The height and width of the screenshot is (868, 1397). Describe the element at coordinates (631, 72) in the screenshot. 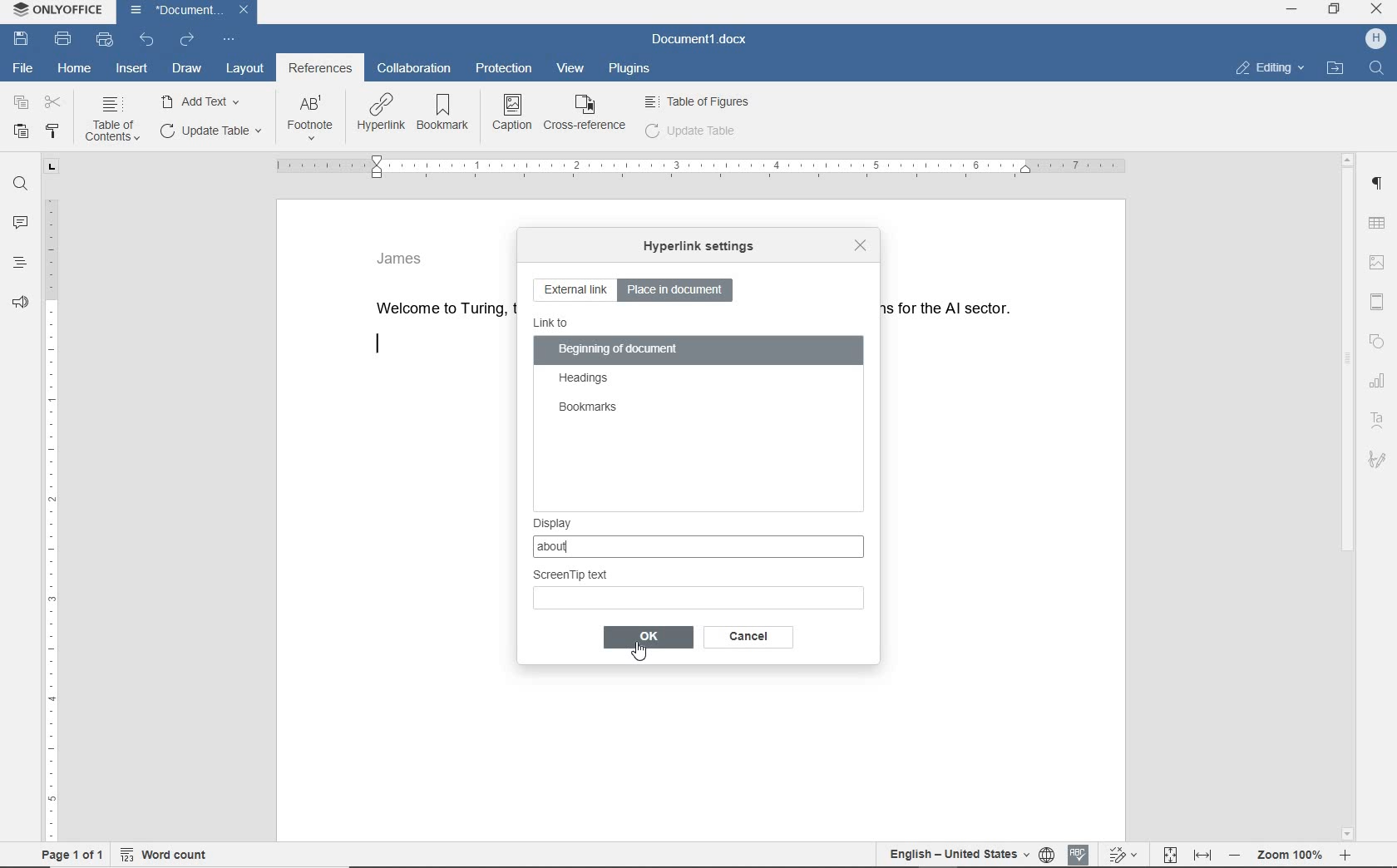

I see `plugins` at that location.